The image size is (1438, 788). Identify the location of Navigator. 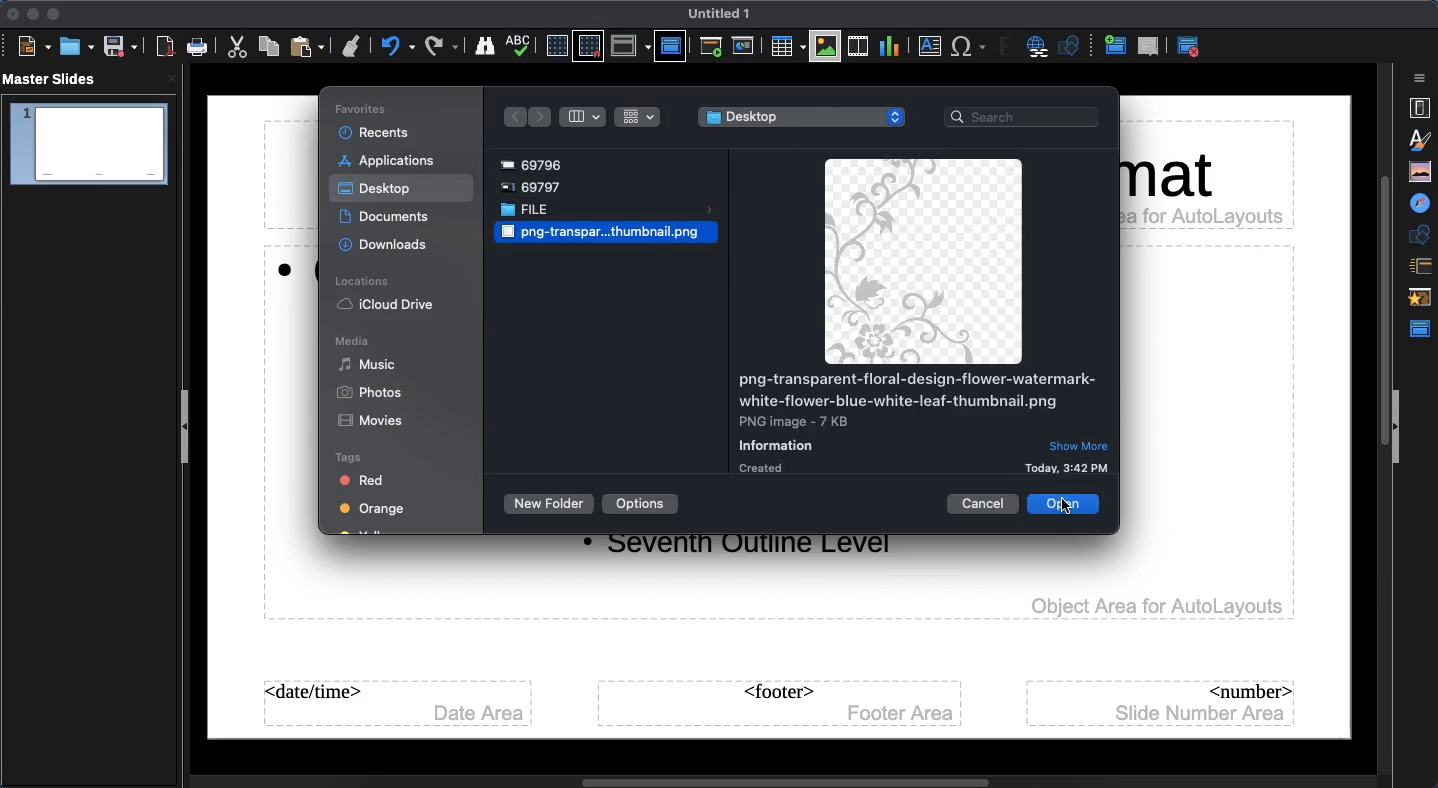
(1422, 204).